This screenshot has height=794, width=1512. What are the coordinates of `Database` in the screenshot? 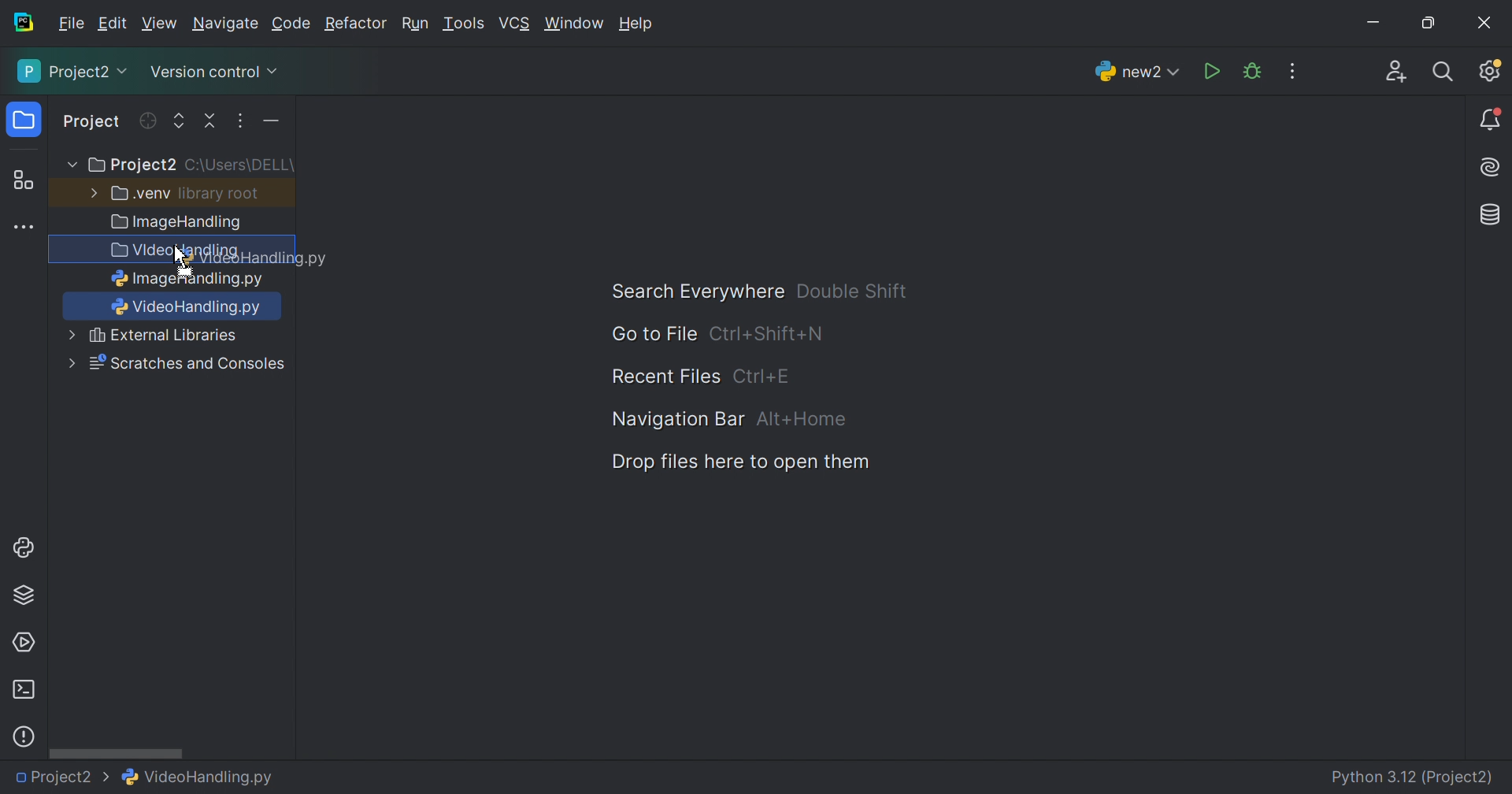 It's located at (1492, 216).